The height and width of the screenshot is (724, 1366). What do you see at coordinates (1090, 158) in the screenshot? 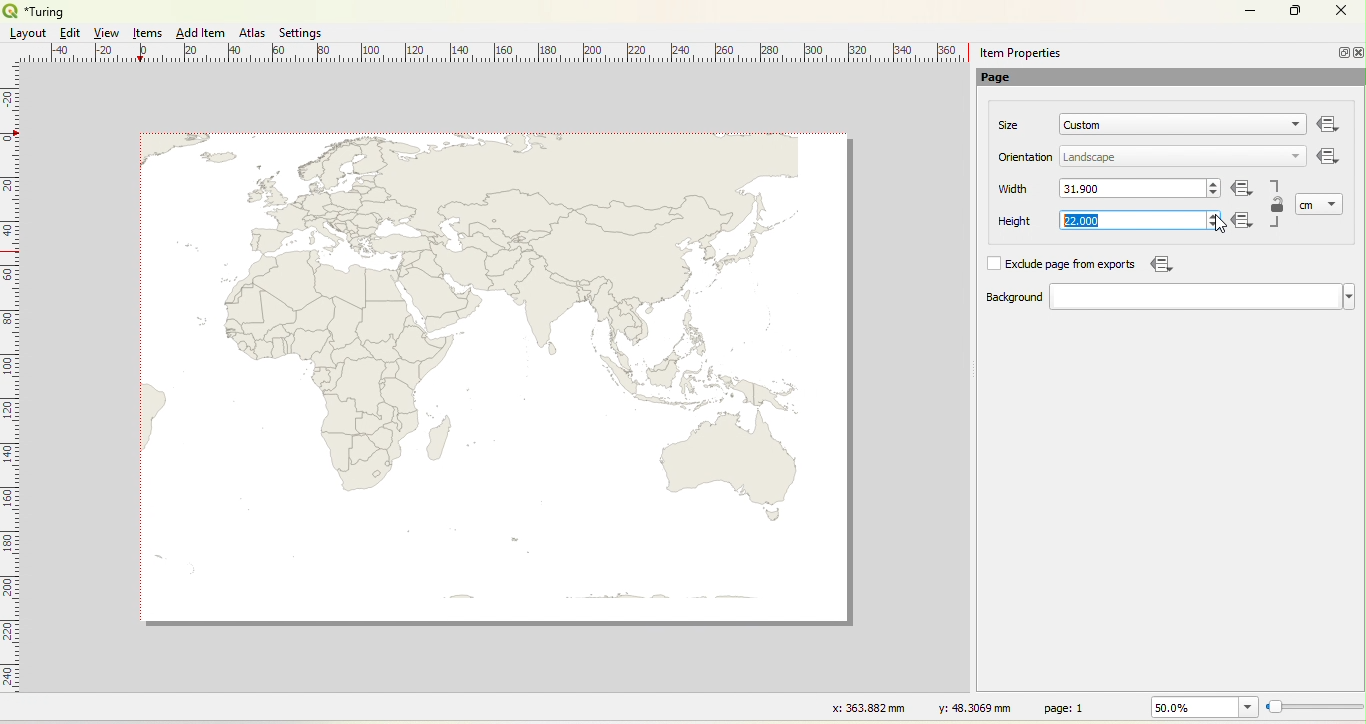
I see `Landscape` at bounding box center [1090, 158].